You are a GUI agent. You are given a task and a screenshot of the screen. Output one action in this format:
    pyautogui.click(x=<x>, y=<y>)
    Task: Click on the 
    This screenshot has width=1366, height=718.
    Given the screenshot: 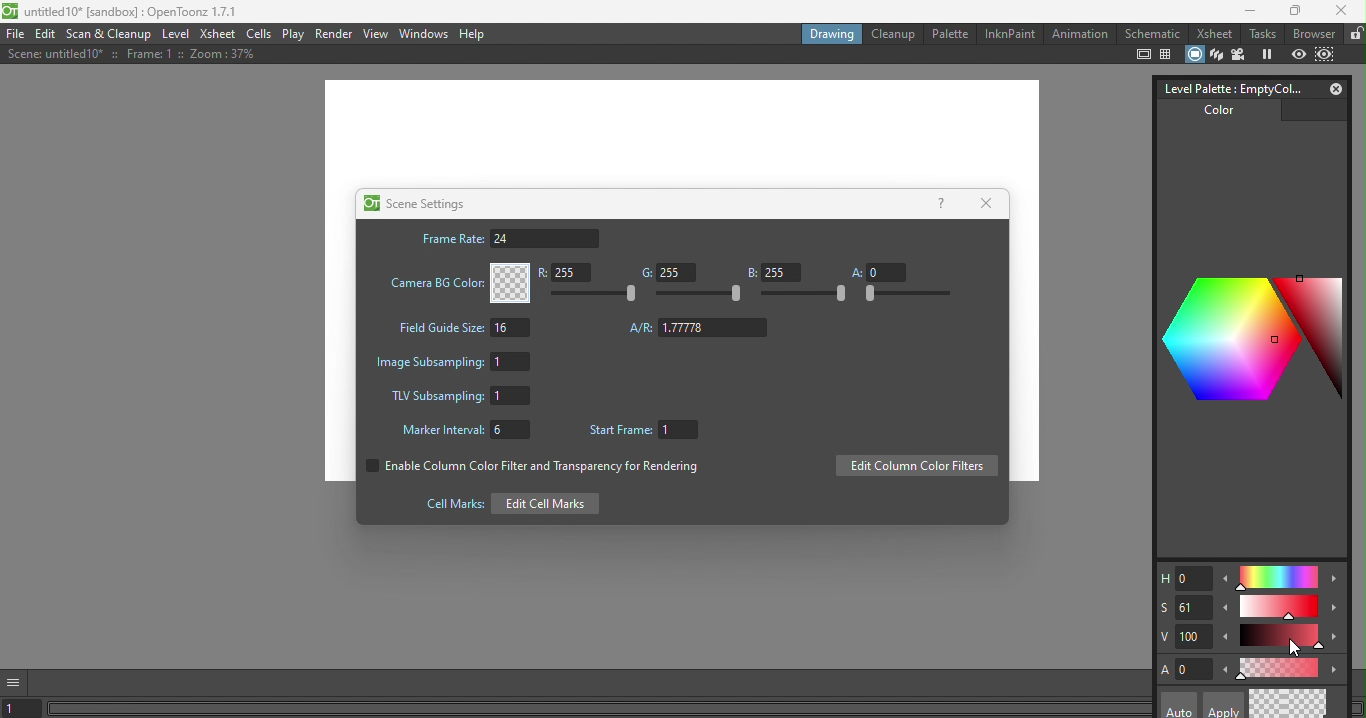 What is the action you would take?
    pyautogui.click(x=1334, y=581)
    